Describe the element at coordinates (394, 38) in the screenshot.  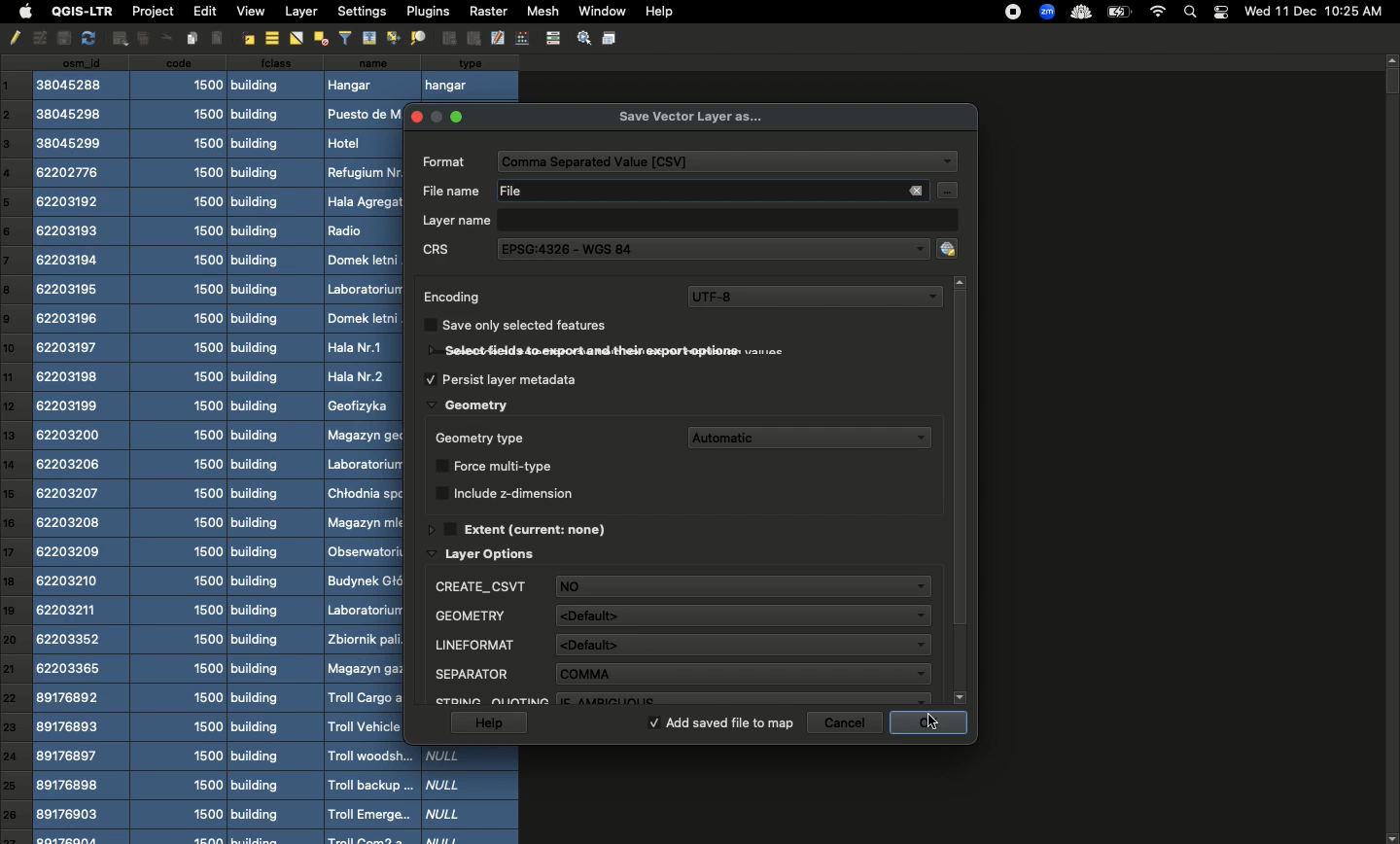
I see `Align Bottom` at that location.